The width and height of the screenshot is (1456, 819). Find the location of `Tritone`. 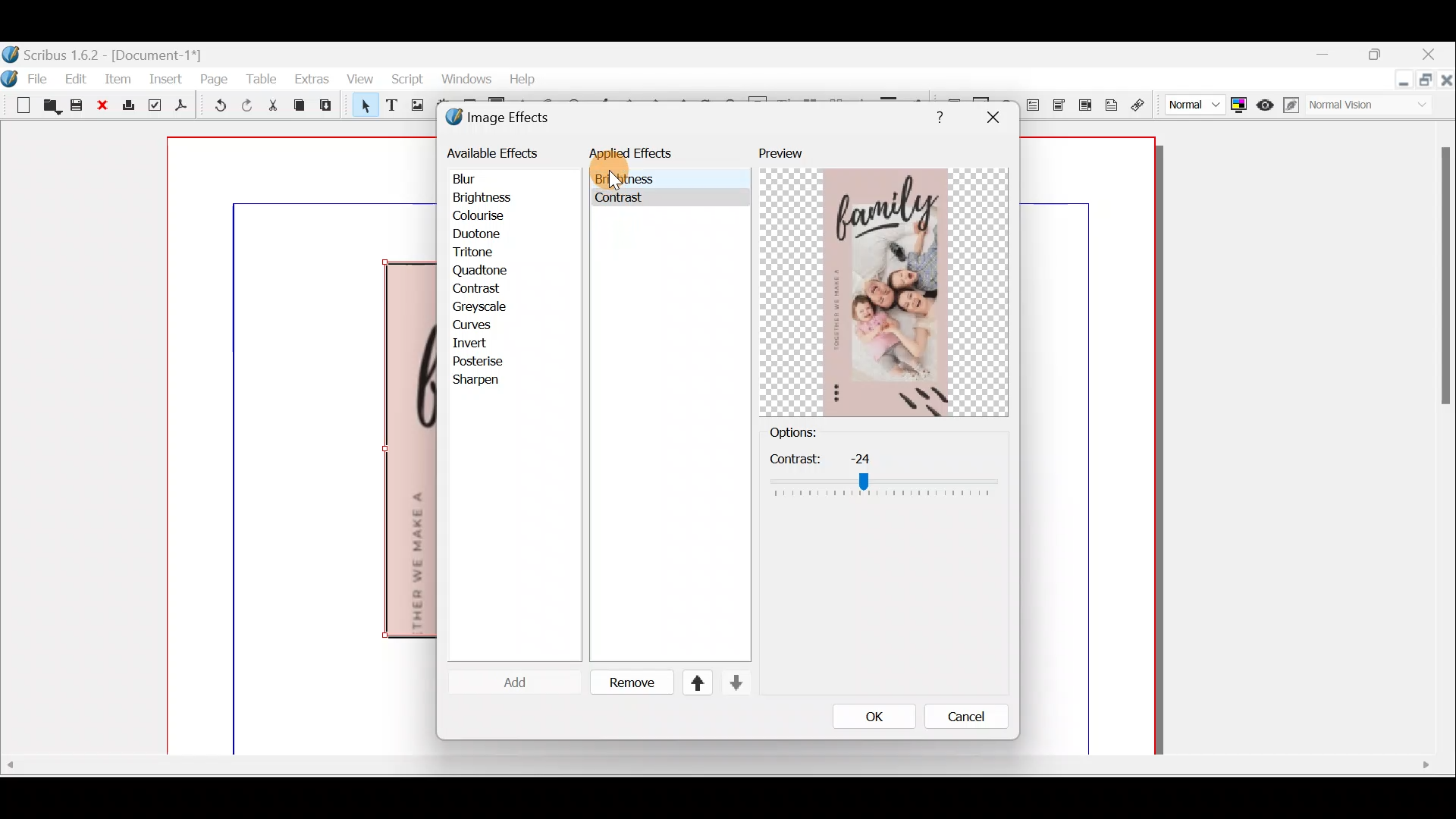

Tritone is located at coordinates (480, 254).